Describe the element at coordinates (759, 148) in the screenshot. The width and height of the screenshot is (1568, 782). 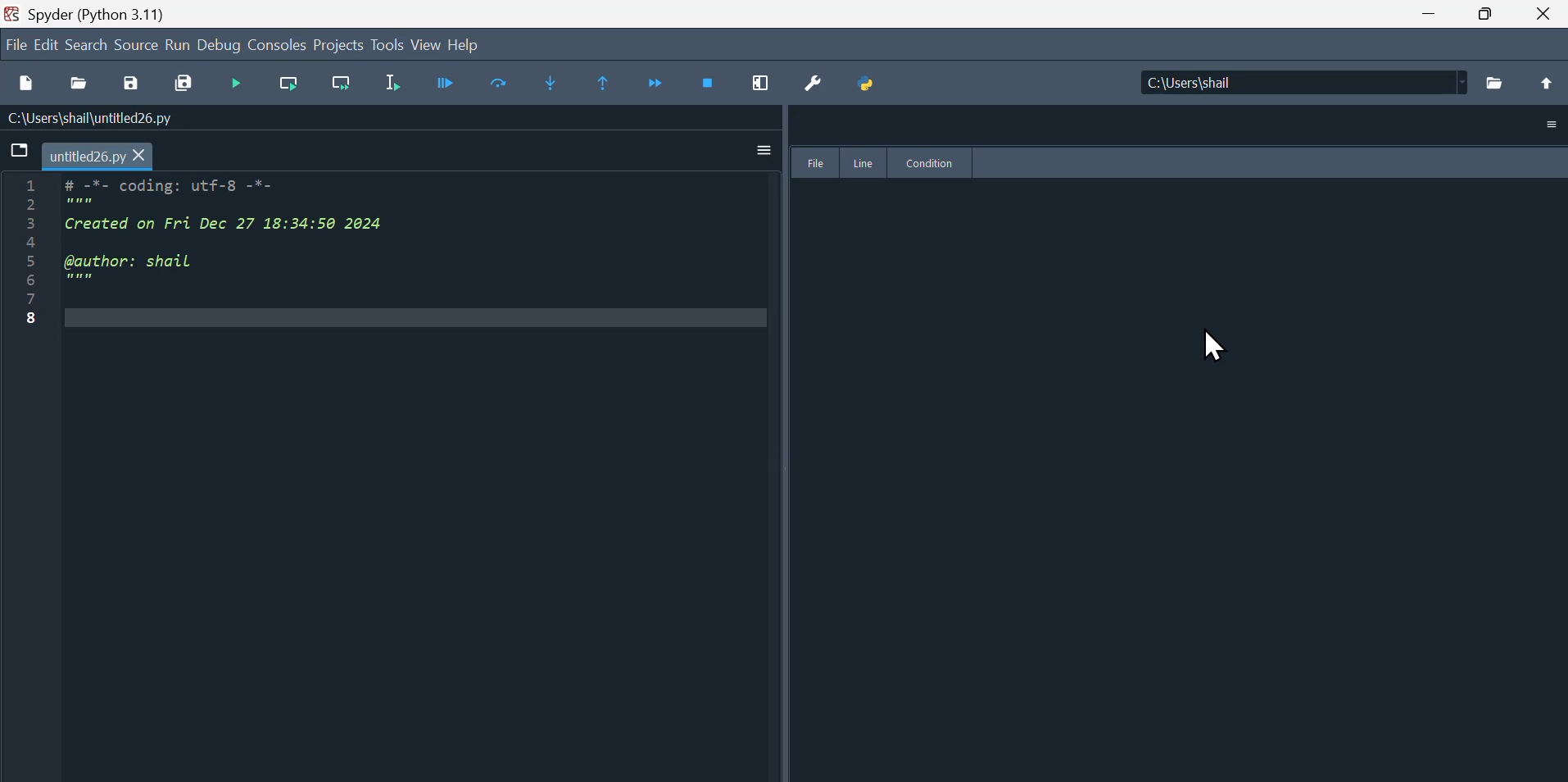
I see `More Option` at that location.